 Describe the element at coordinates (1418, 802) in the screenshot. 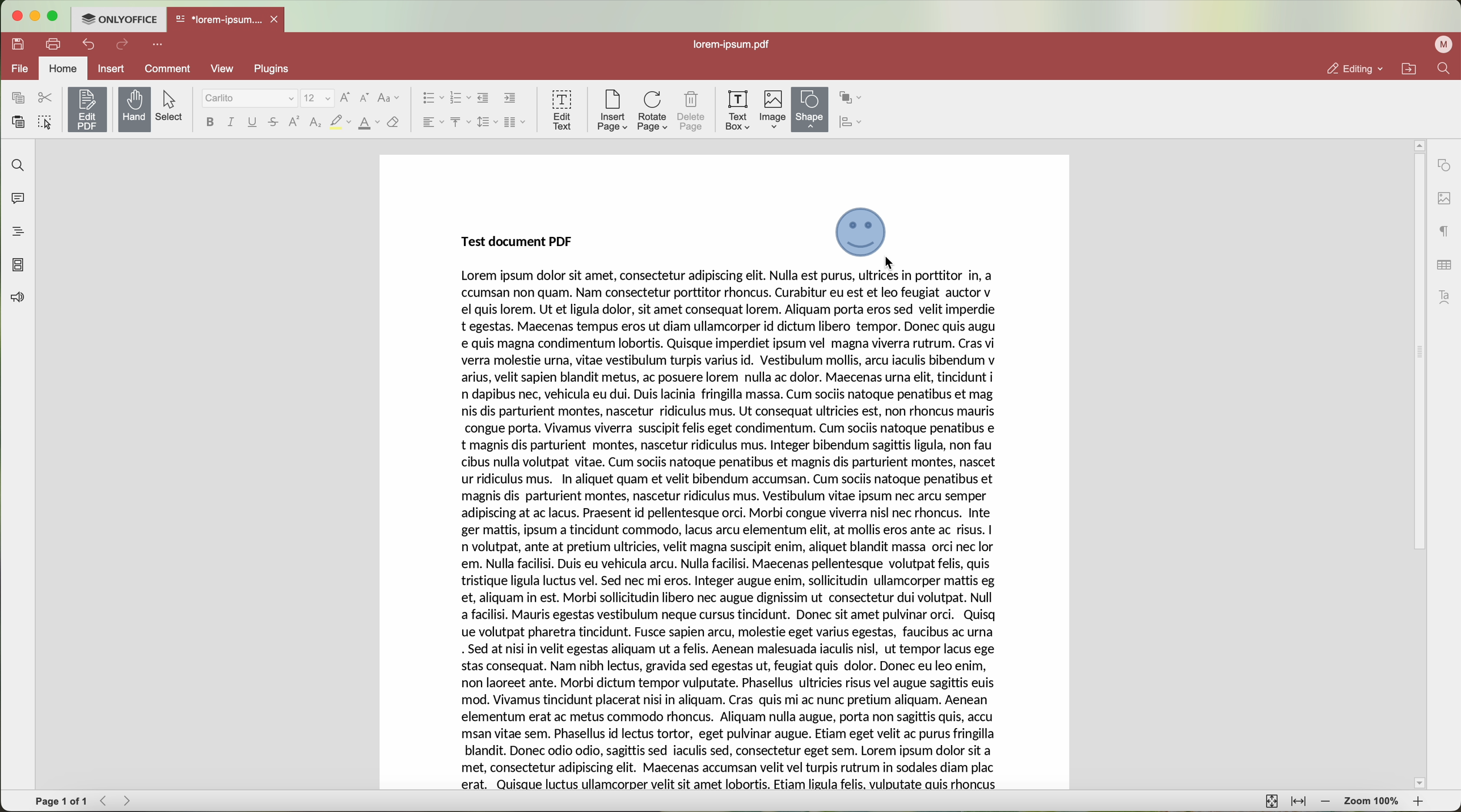

I see `zoom in` at that location.